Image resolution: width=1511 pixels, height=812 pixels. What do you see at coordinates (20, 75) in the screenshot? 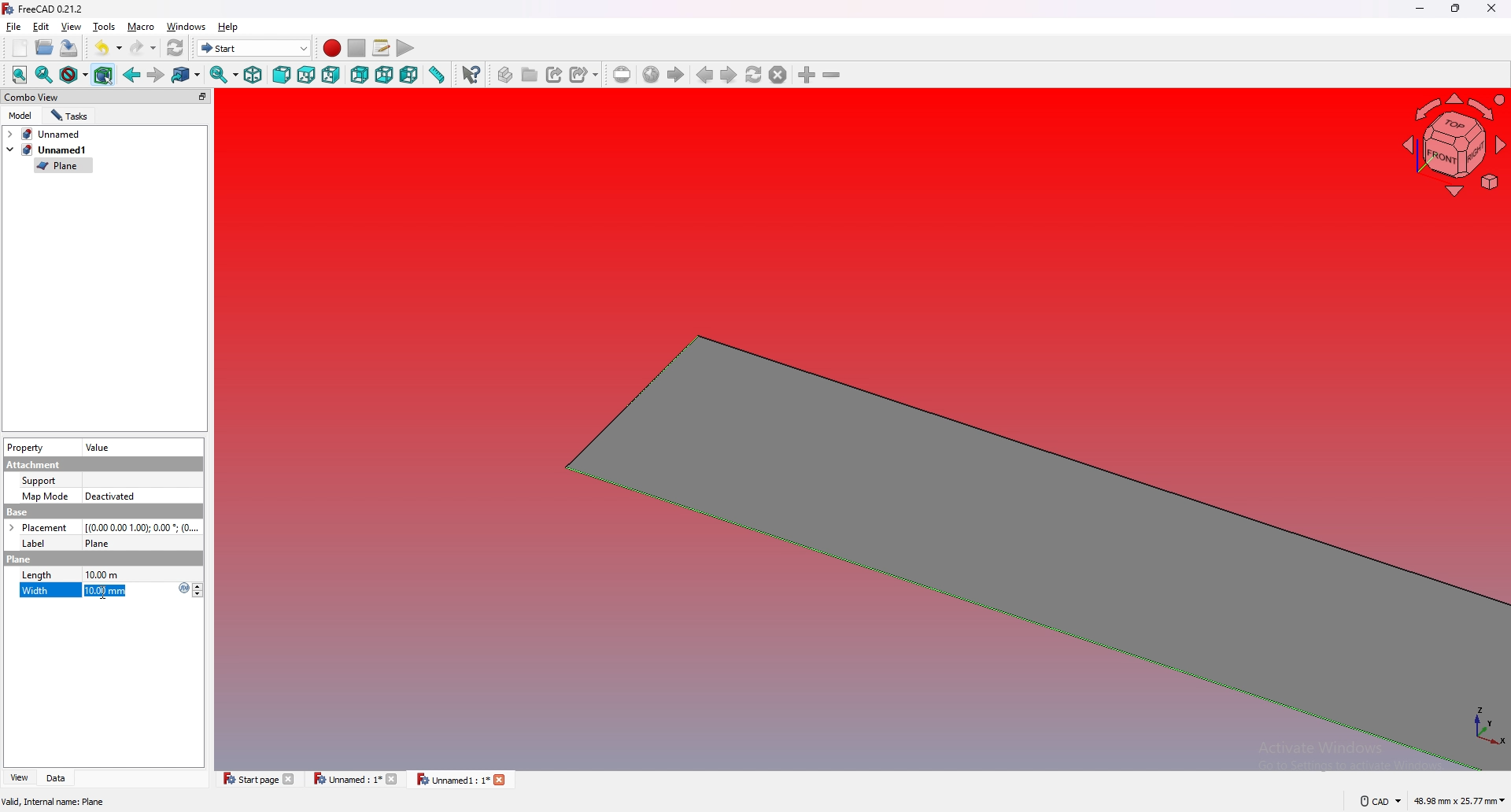
I see `fit all` at bounding box center [20, 75].